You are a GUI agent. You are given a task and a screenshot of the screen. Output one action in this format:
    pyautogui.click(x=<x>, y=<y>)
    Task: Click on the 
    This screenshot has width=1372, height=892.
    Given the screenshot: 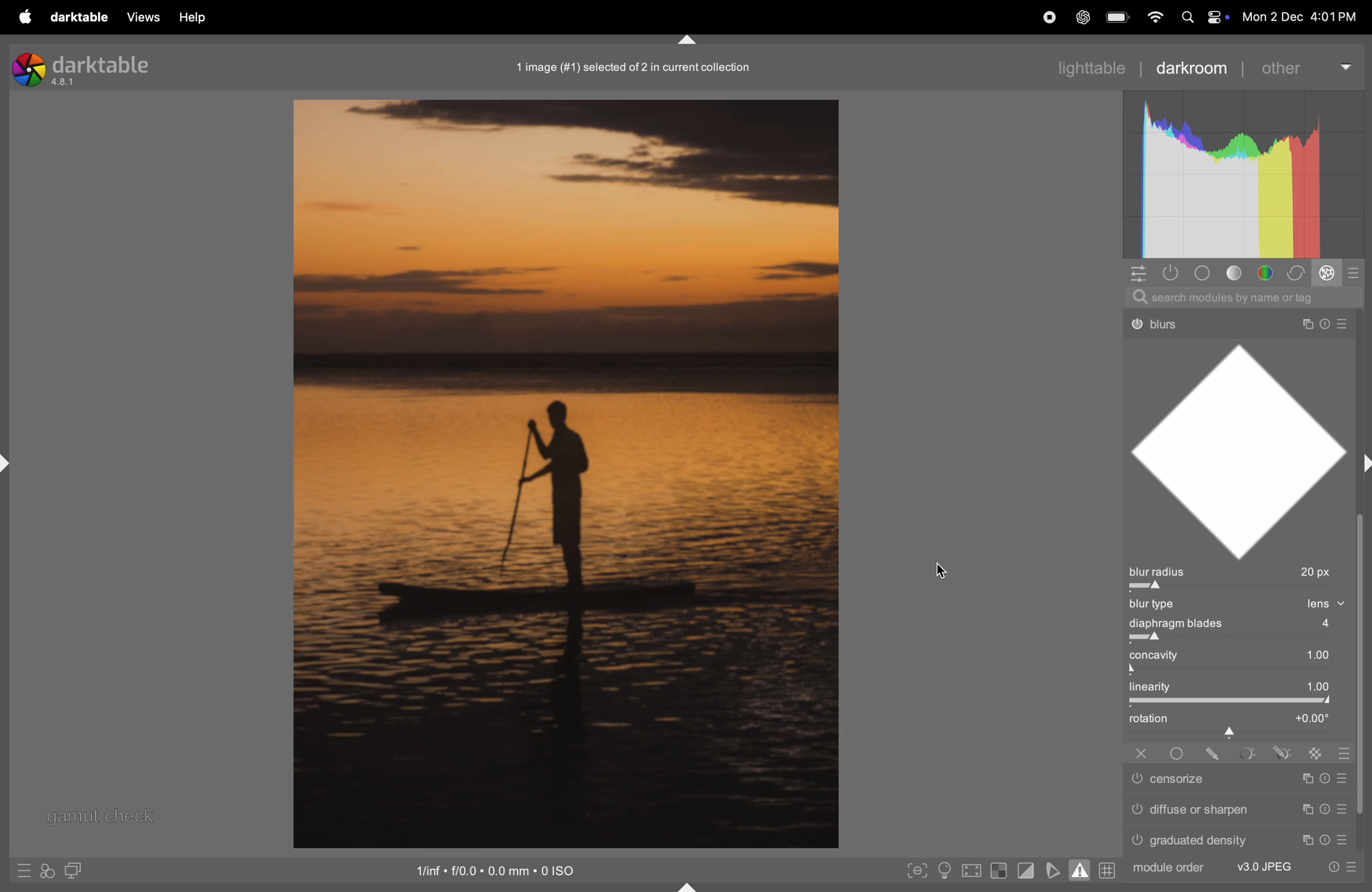 What is the action you would take?
    pyautogui.click(x=1284, y=753)
    